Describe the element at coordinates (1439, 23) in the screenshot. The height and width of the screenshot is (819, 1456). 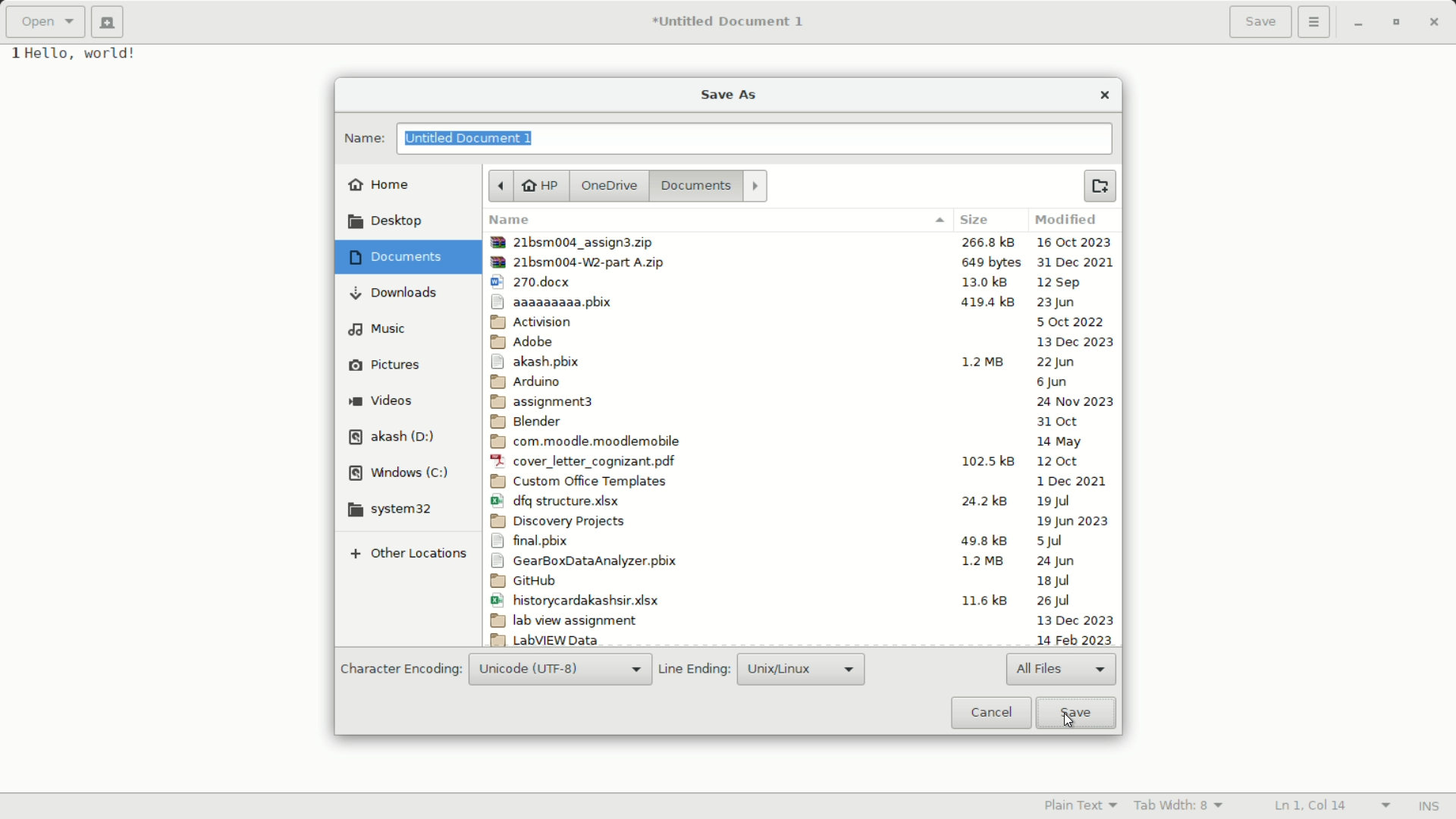
I see `close app` at that location.